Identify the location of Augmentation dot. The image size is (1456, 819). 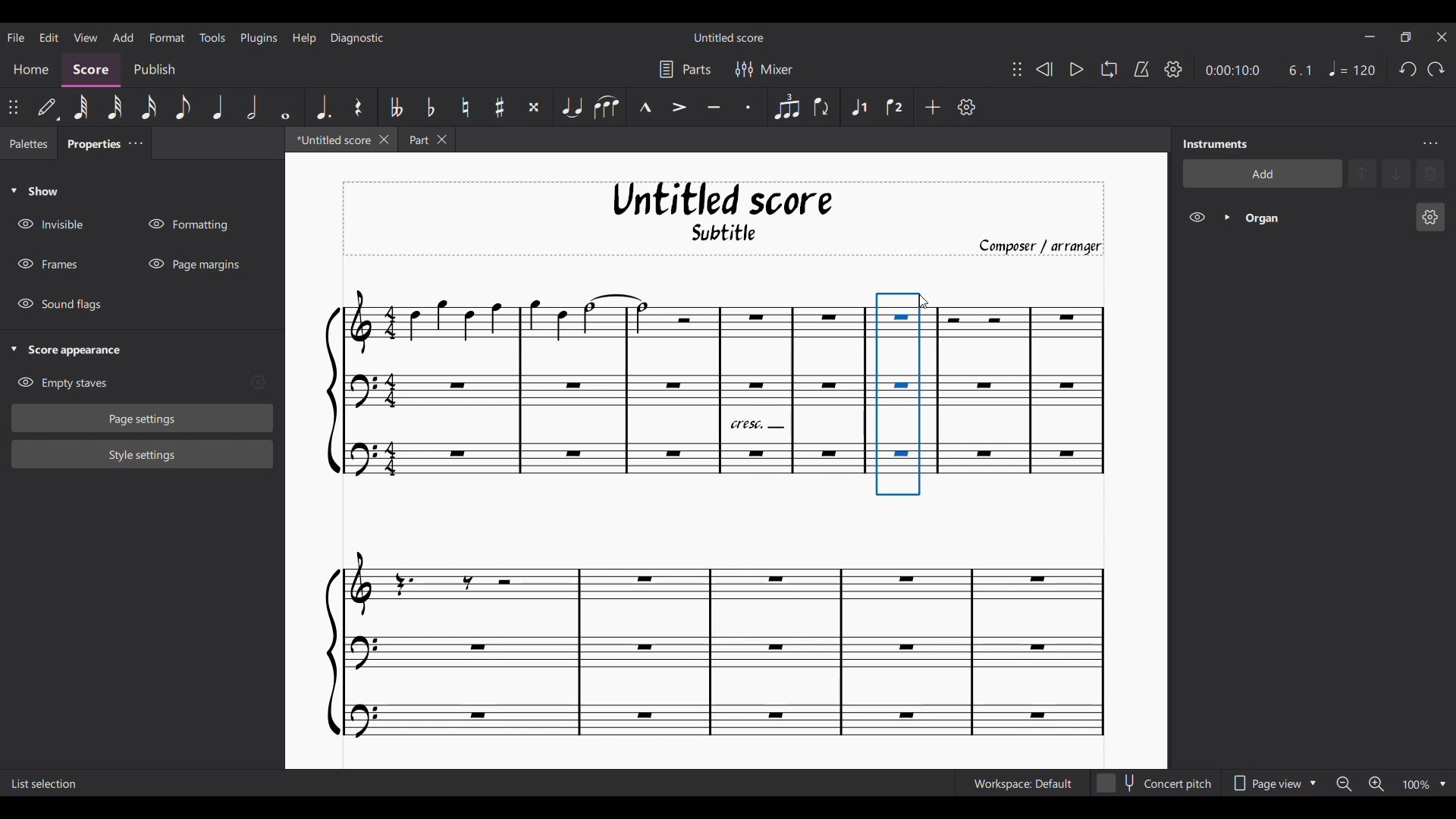
(322, 107).